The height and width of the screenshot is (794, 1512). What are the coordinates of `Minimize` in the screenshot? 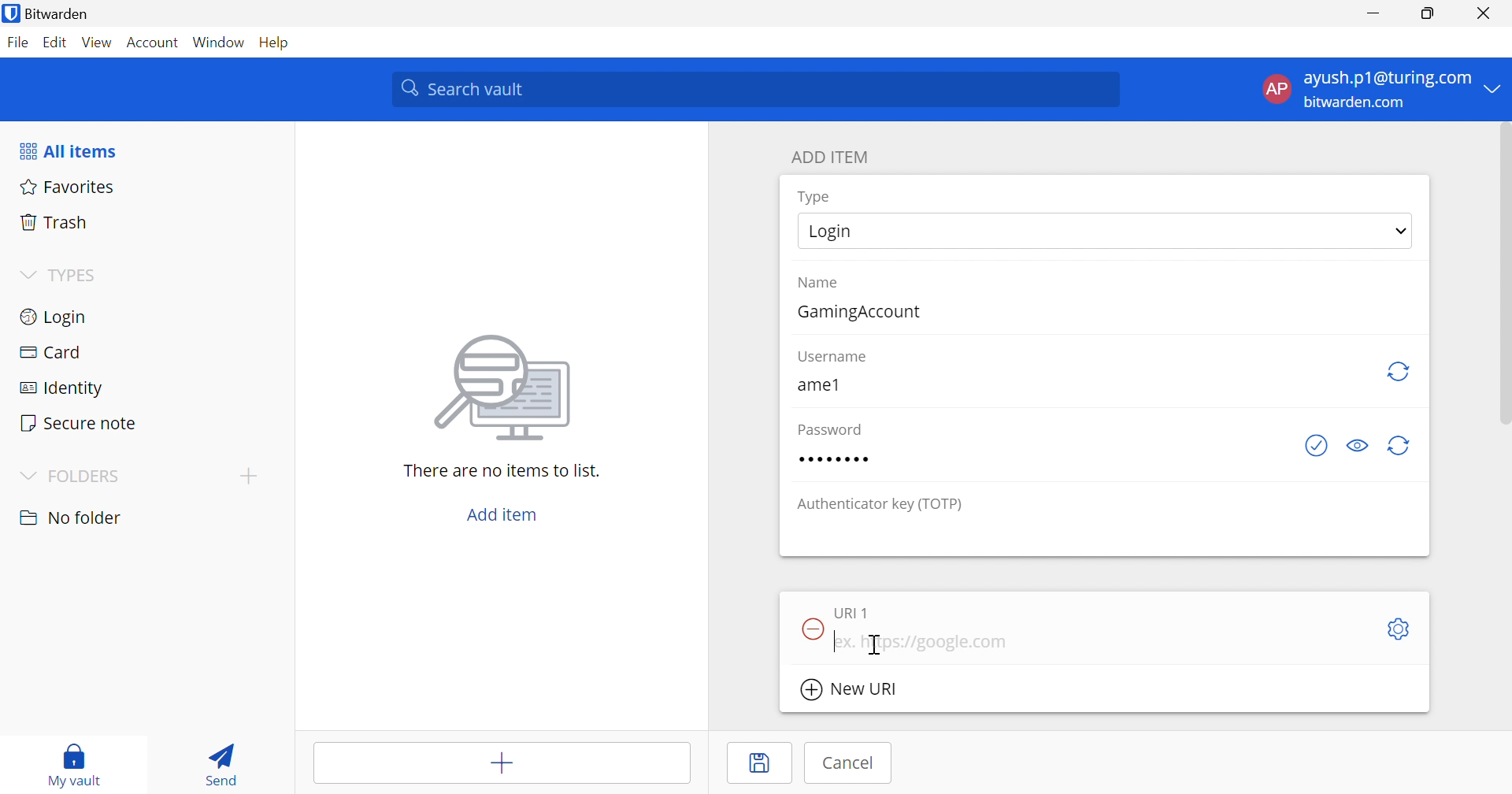 It's located at (1373, 14).